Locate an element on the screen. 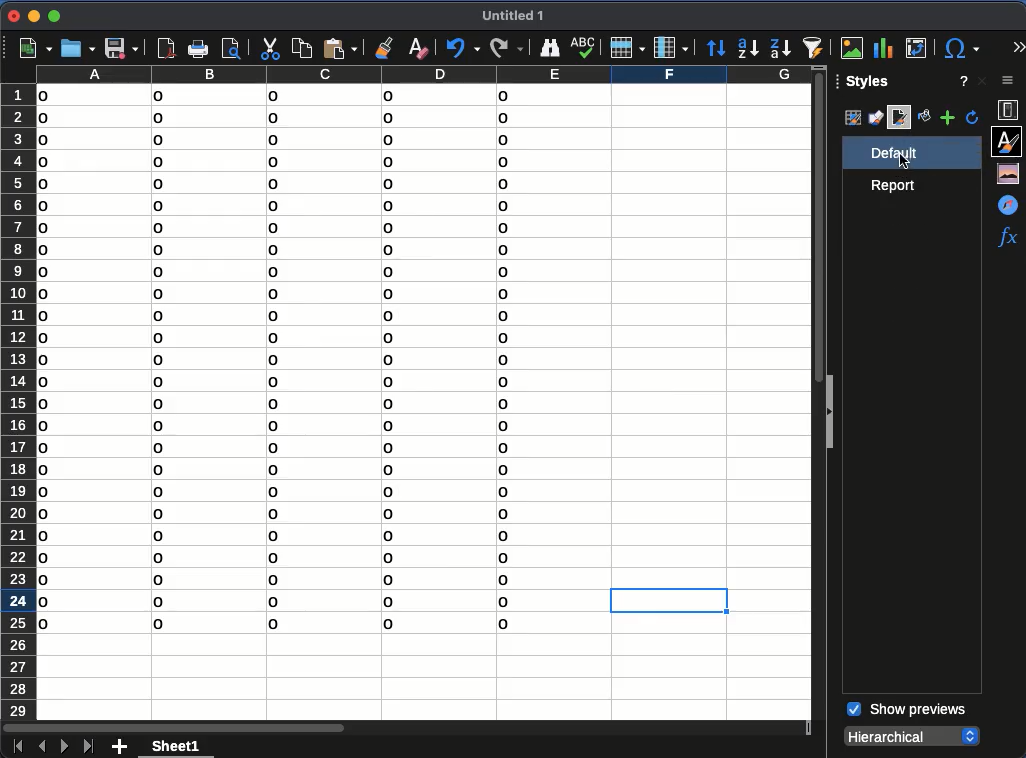 The image size is (1026, 758). image is located at coordinates (852, 47).